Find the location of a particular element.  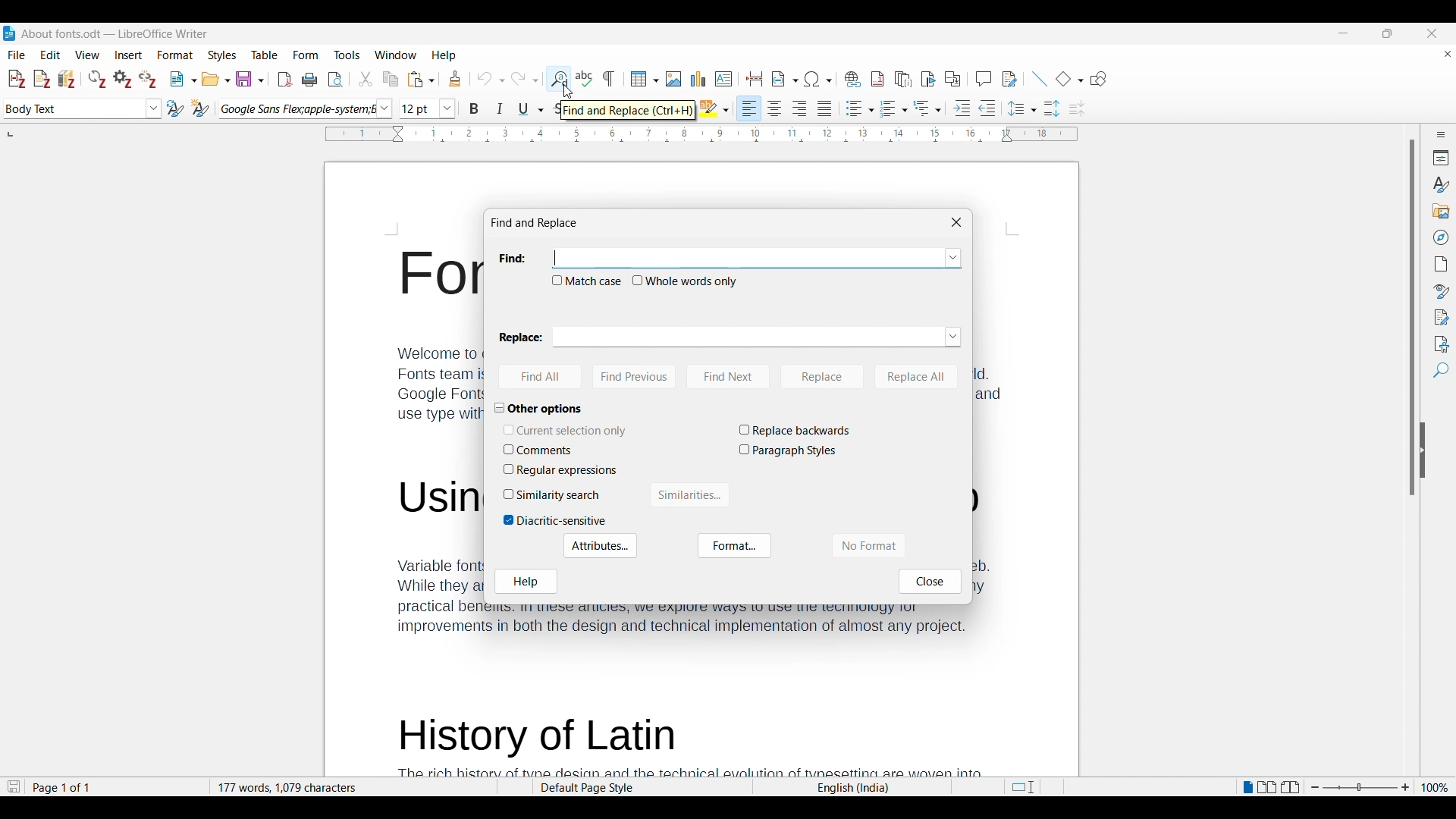

Window title is located at coordinates (535, 223).